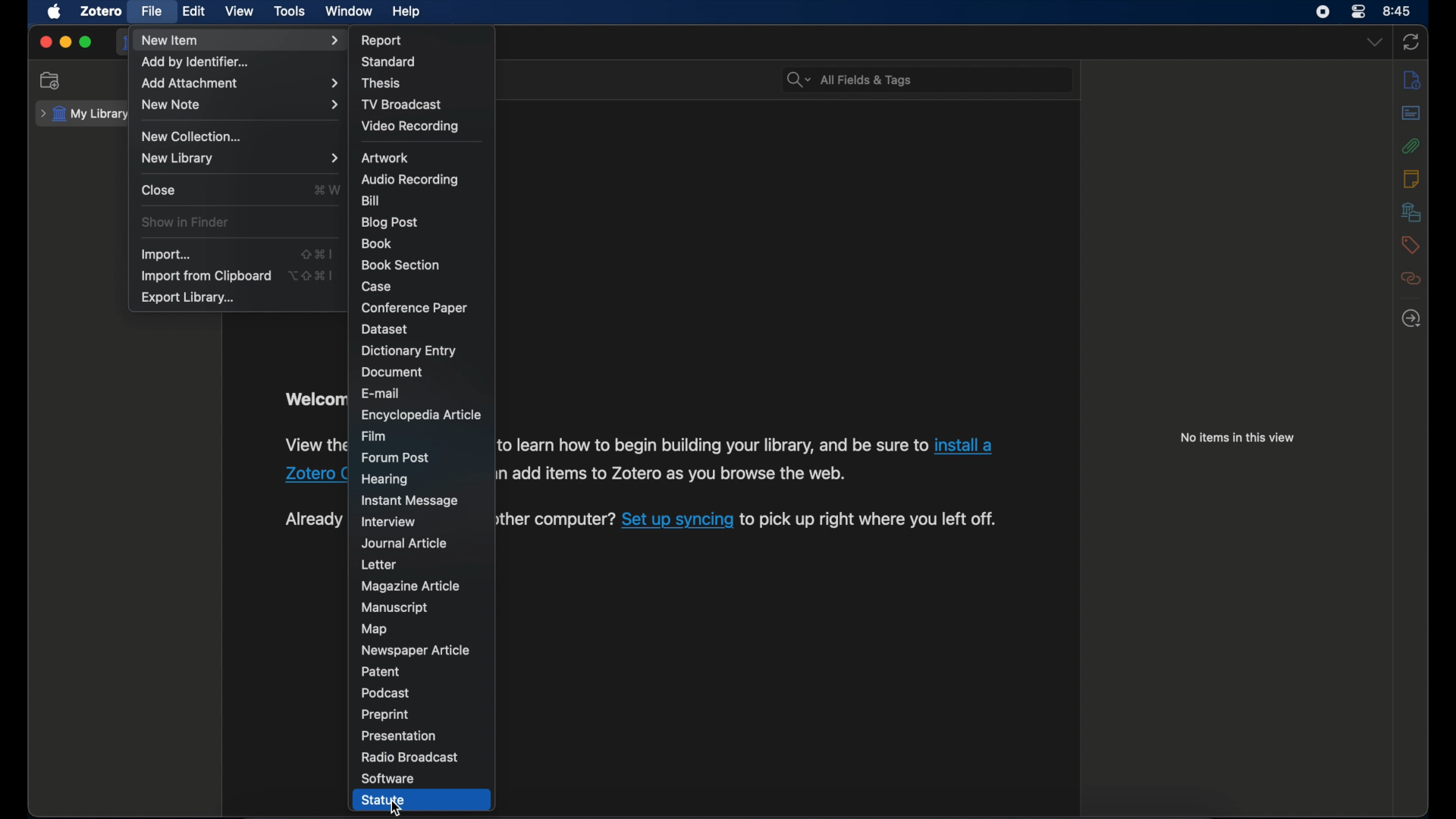 This screenshot has width=1456, height=819. What do you see at coordinates (403, 543) in the screenshot?
I see `journal article` at bounding box center [403, 543].